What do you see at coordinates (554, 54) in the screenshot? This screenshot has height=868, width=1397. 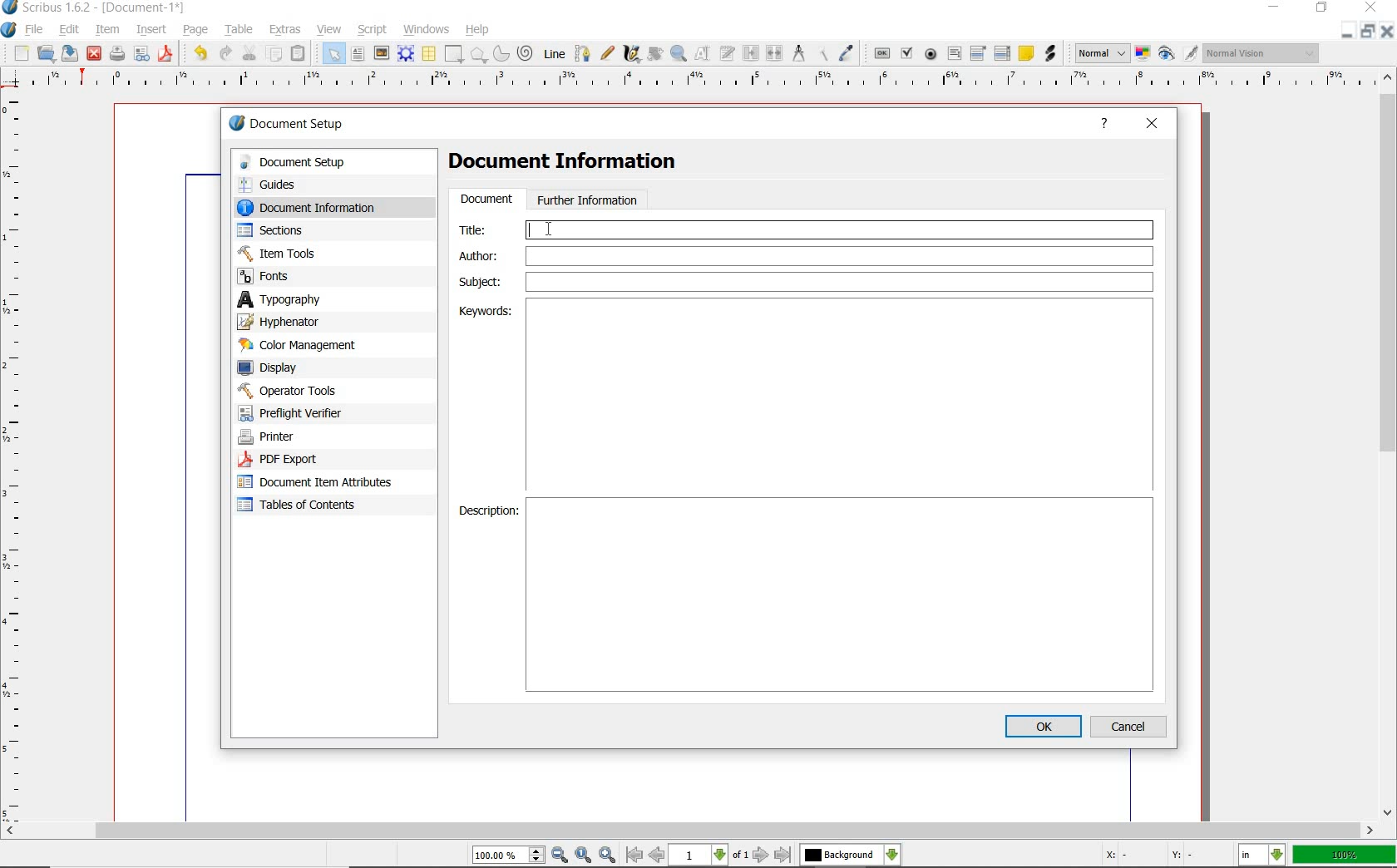 I see `Line` at bounding box center [554, 54].